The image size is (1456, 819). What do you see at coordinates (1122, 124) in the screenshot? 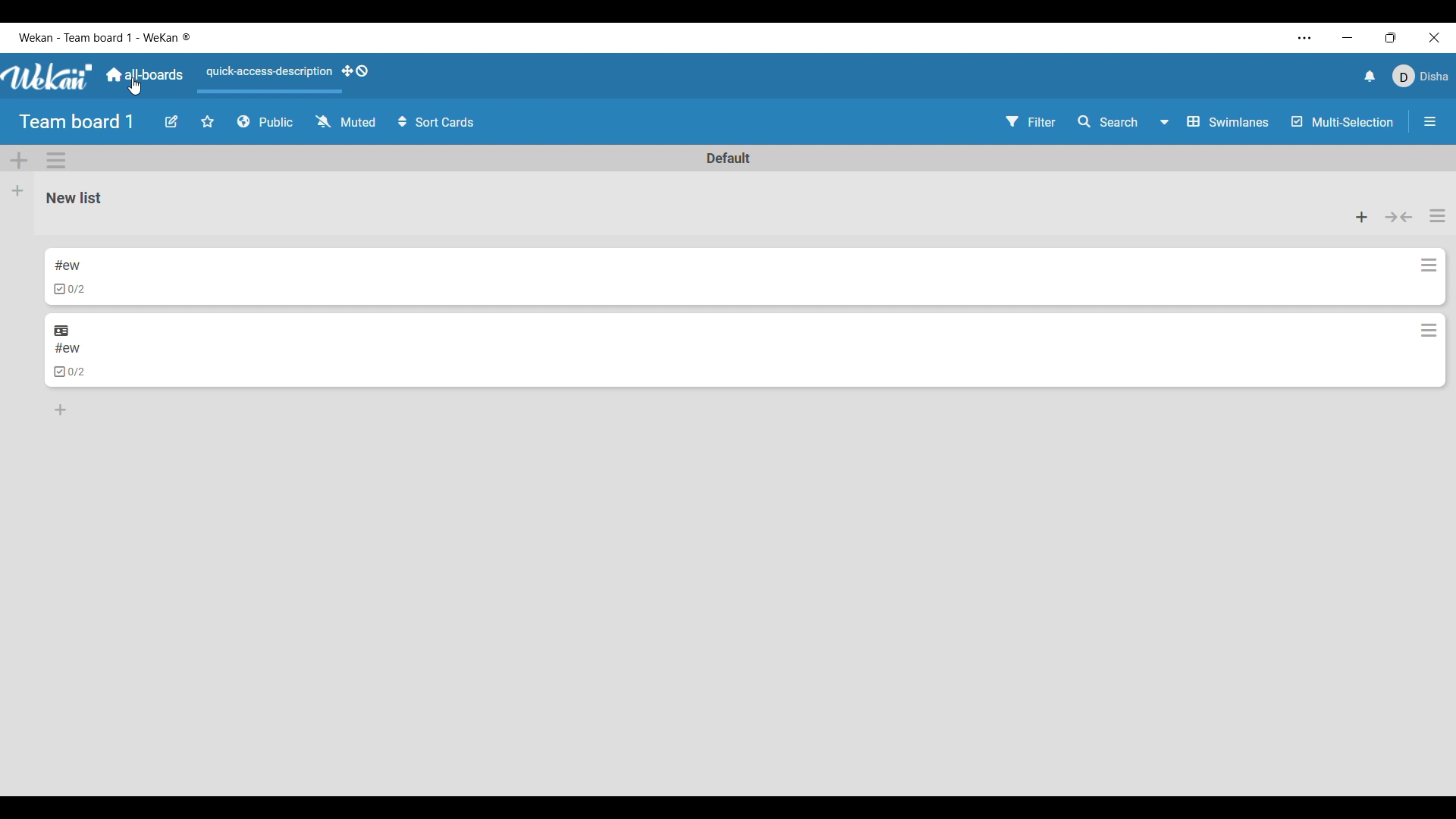
I see `Search` at bounding box center [1122, 124].